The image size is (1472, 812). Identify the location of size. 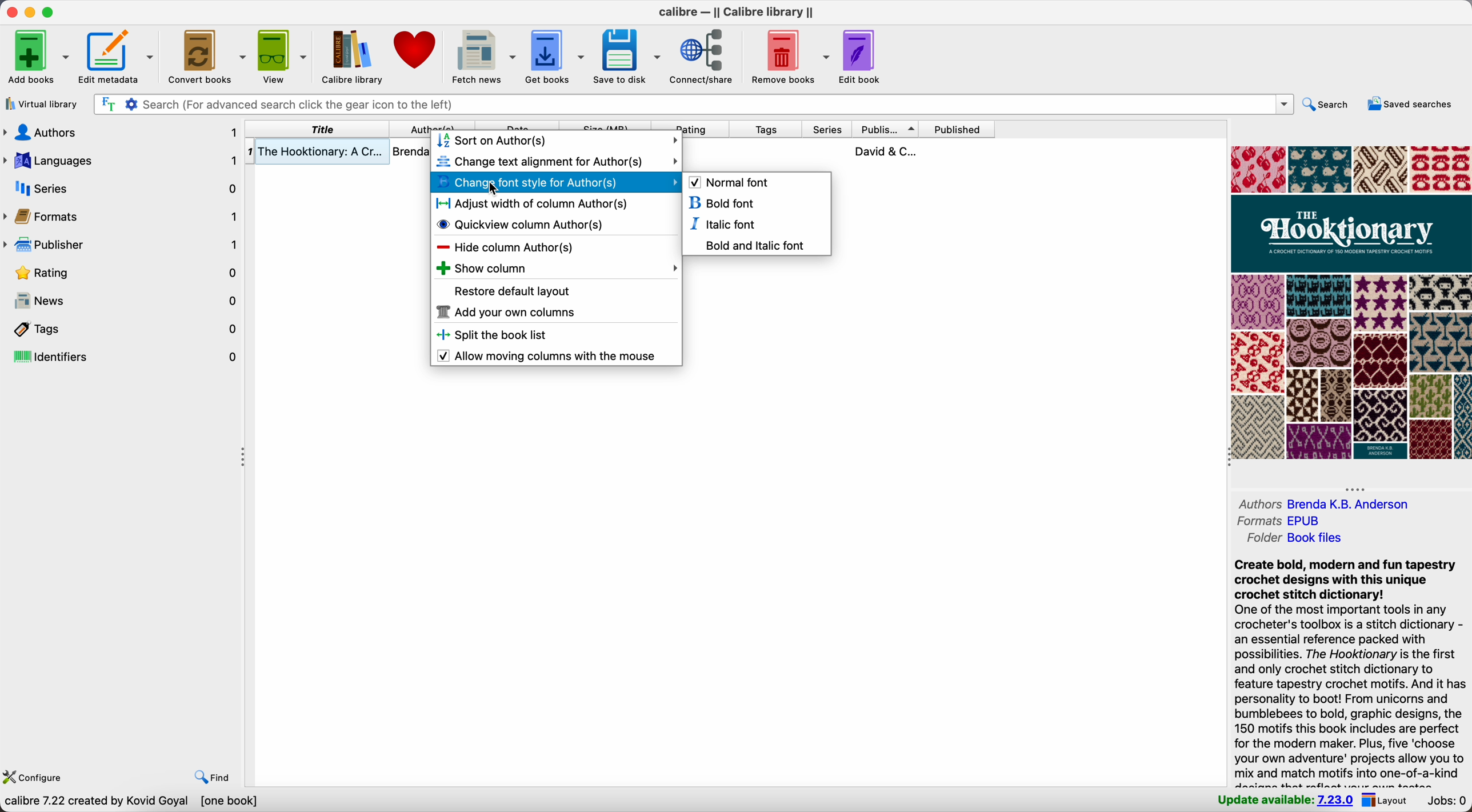
(606, 125).